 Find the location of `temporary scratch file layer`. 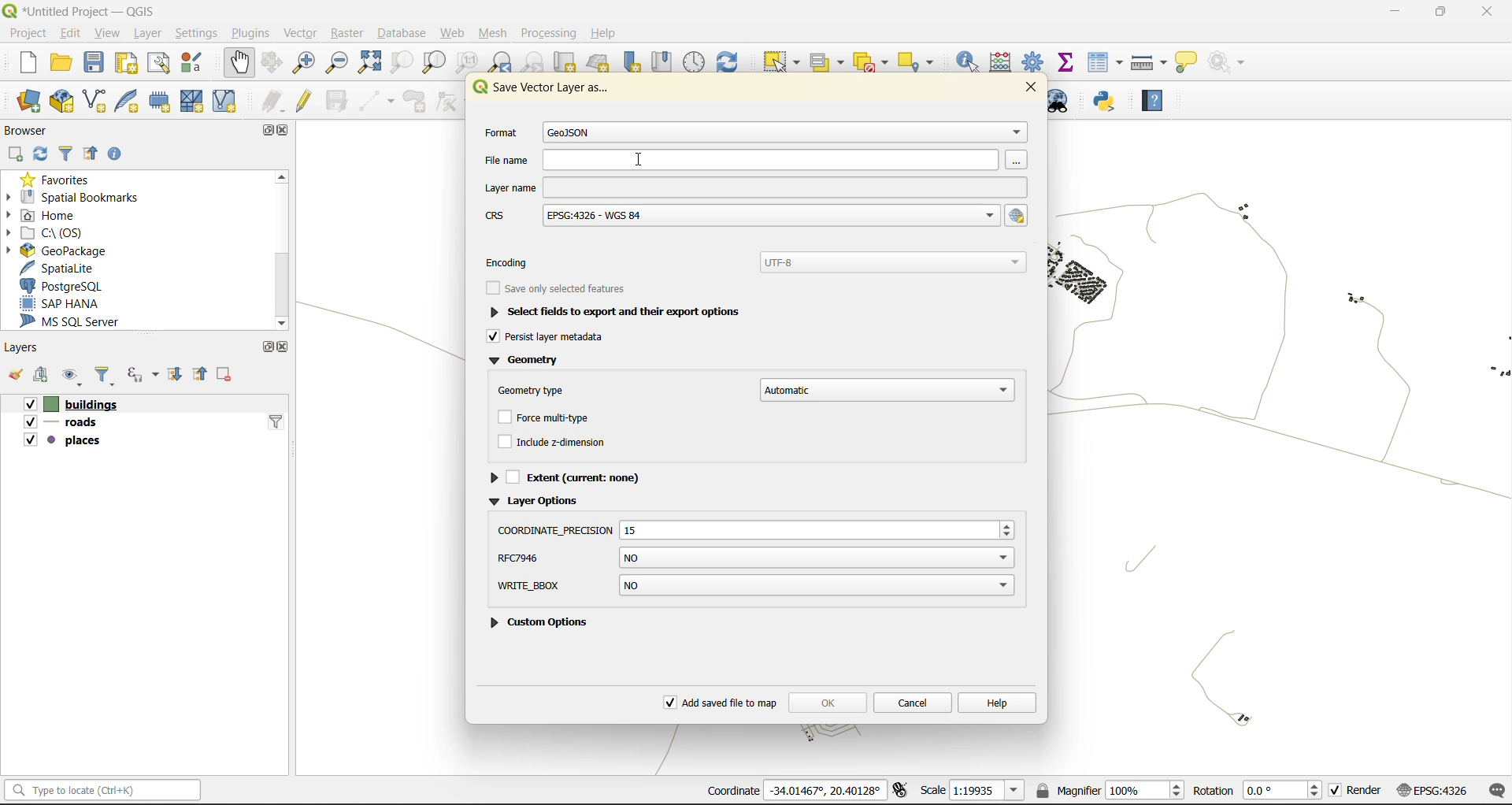

temporary scratch file layer is located at coordinates (165, 100).